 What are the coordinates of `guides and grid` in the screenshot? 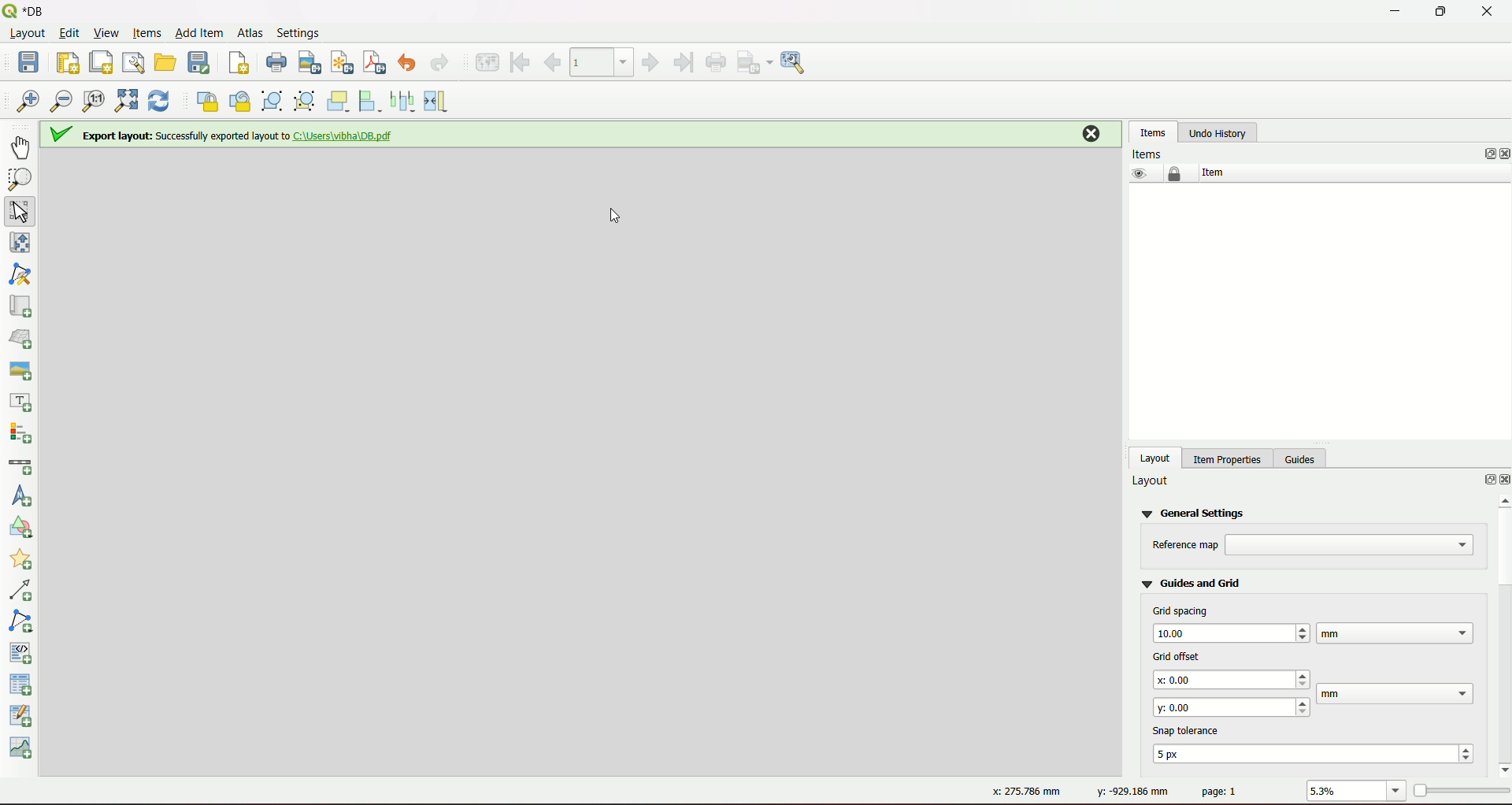 It's located at (1191, 582).